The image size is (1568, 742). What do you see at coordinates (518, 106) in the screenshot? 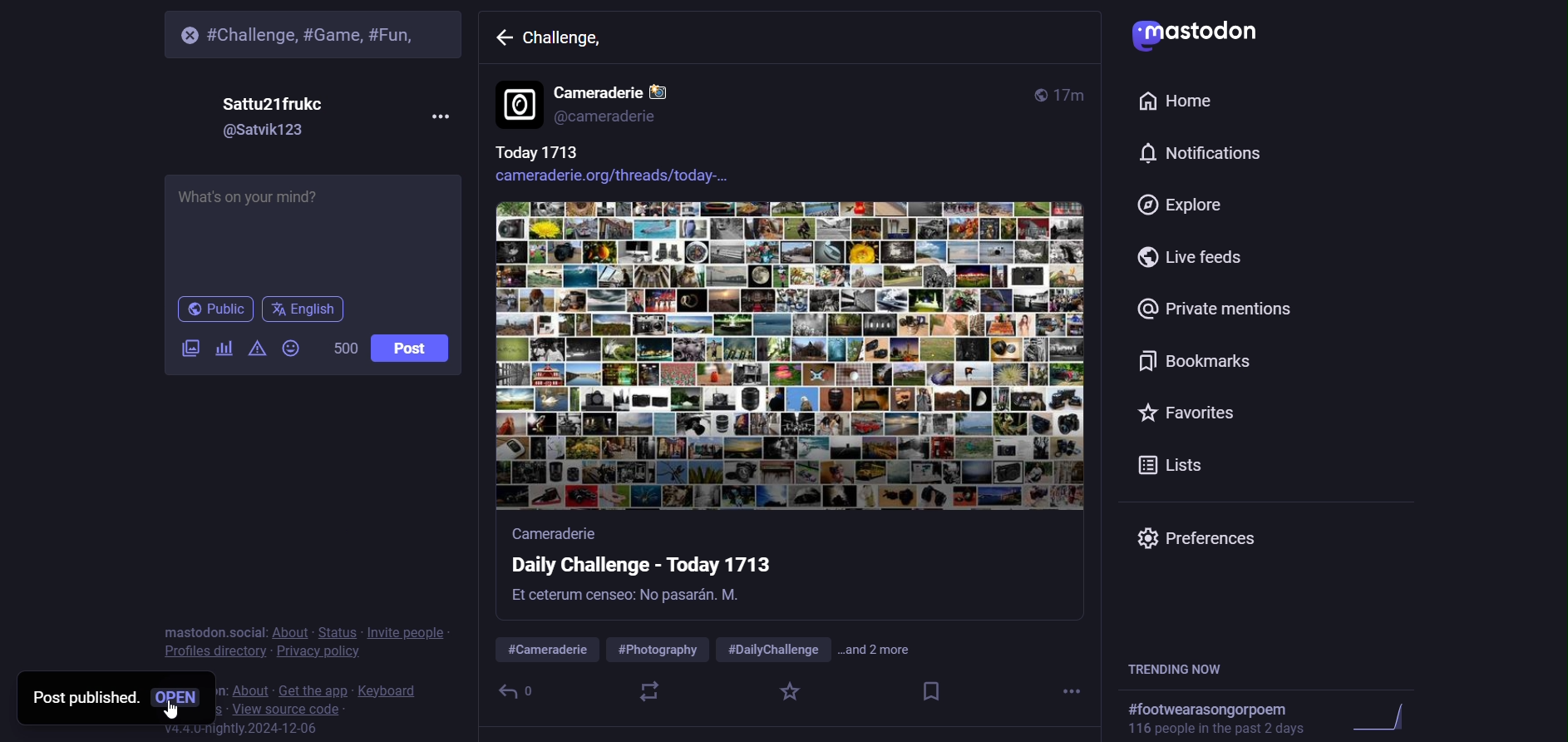
I see `display picture` at bounding box center [518, 106].